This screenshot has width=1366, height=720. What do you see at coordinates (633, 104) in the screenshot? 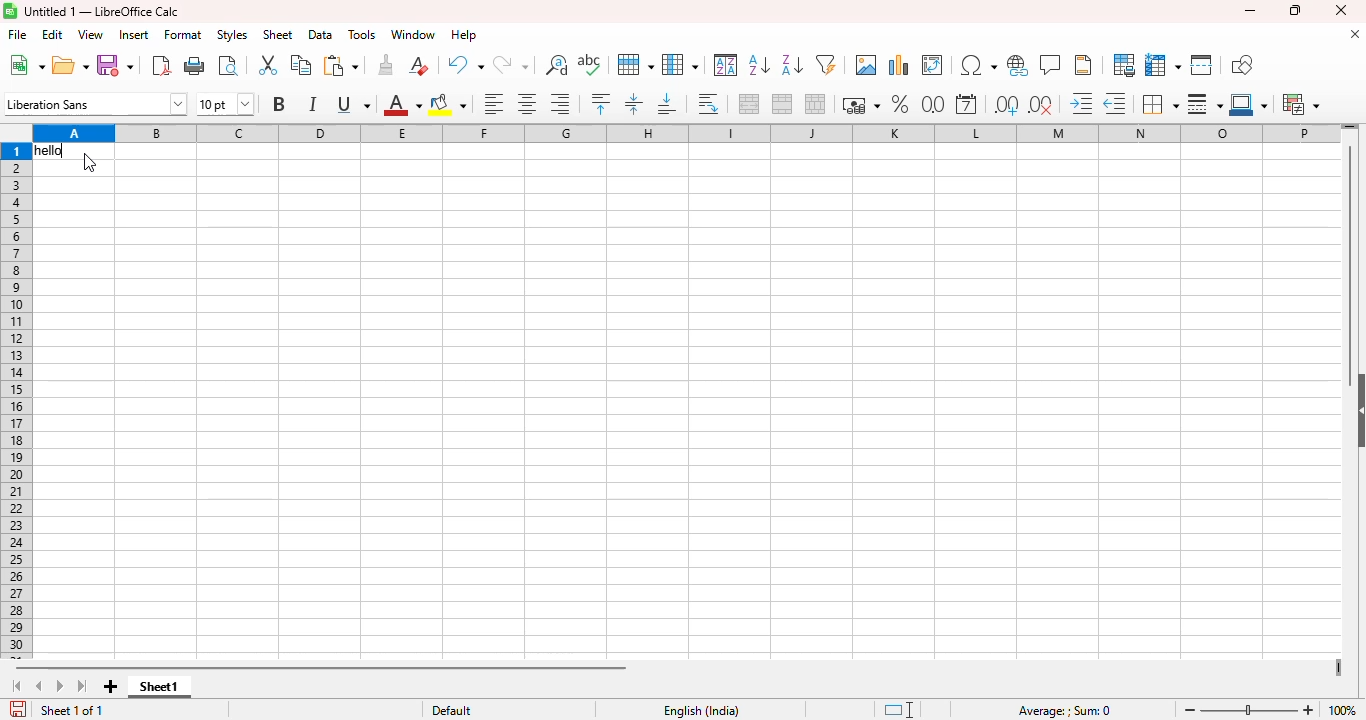
I see `center vertically` at bounding box center [633, 104].